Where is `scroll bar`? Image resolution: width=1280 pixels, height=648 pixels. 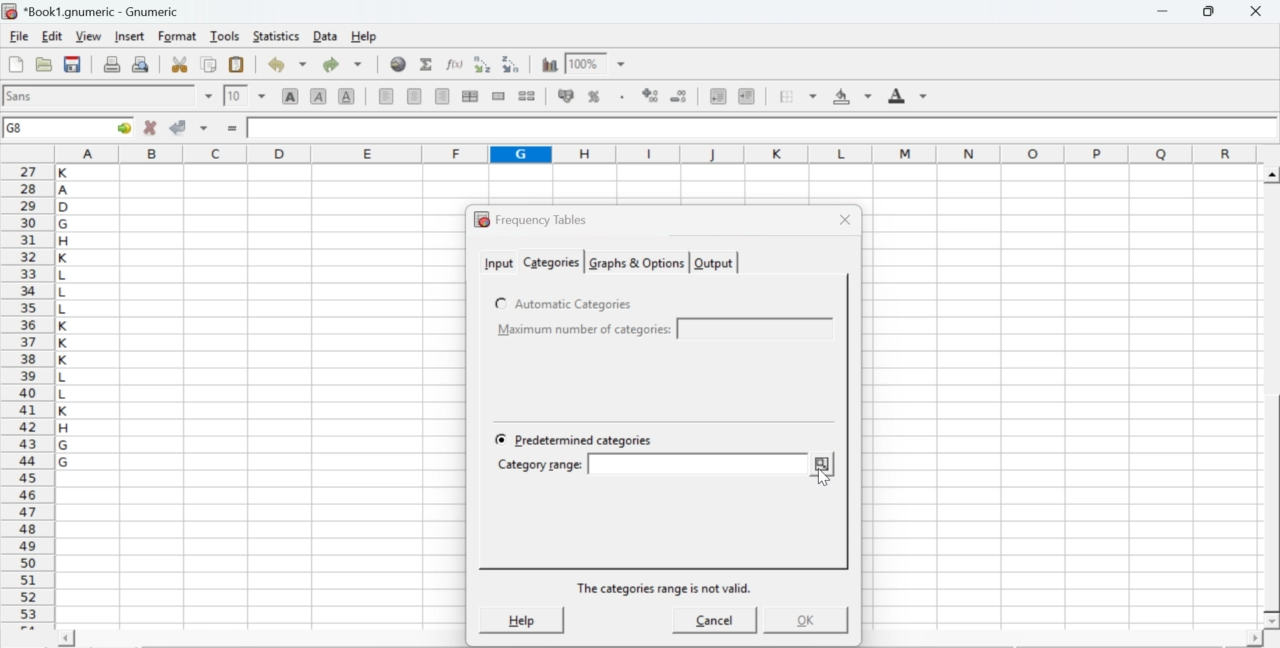 scroll bar is located at coordinates (1272, 398).